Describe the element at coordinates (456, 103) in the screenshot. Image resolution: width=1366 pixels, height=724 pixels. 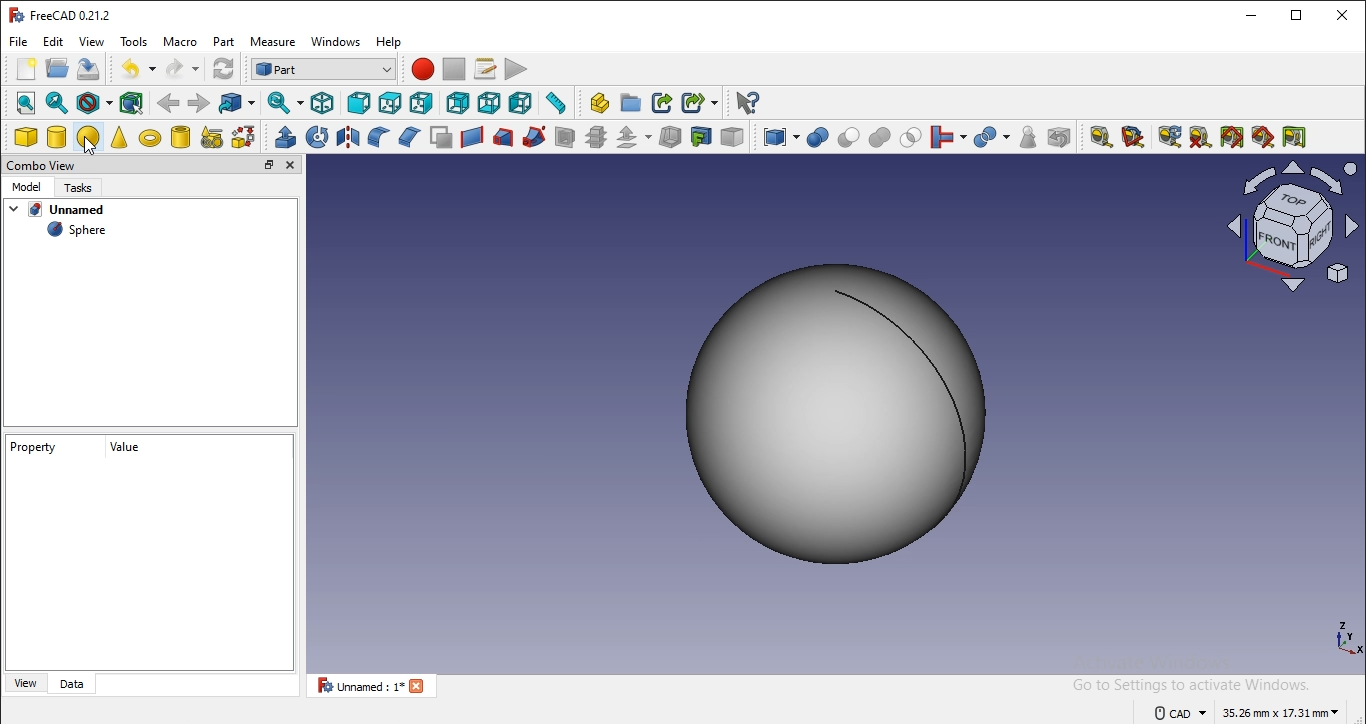
I see `rear` at that location.